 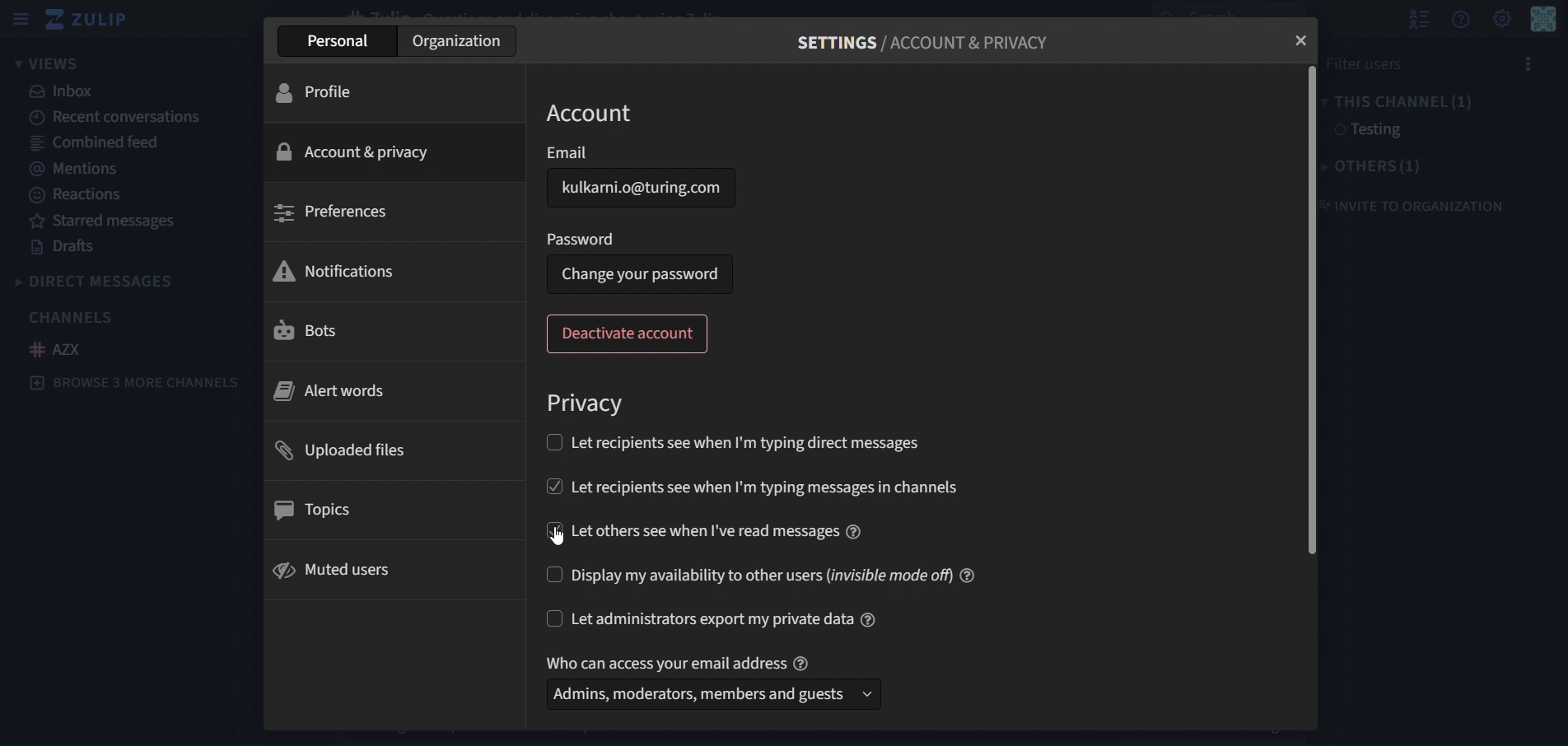 I want to click on deactivate account, so click(x=630, y=335).